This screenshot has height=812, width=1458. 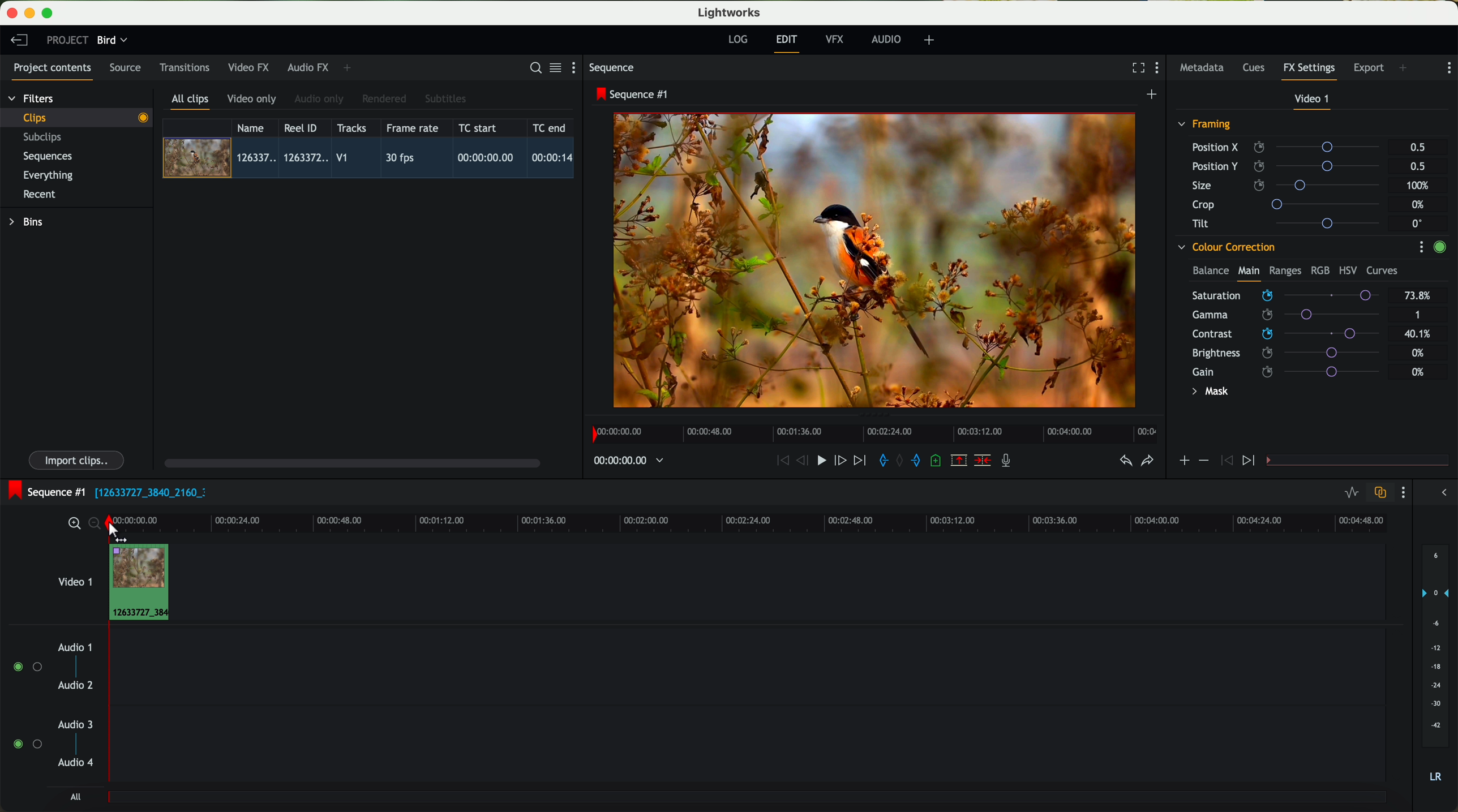 I want to click on black, so click(x=146, y=491).